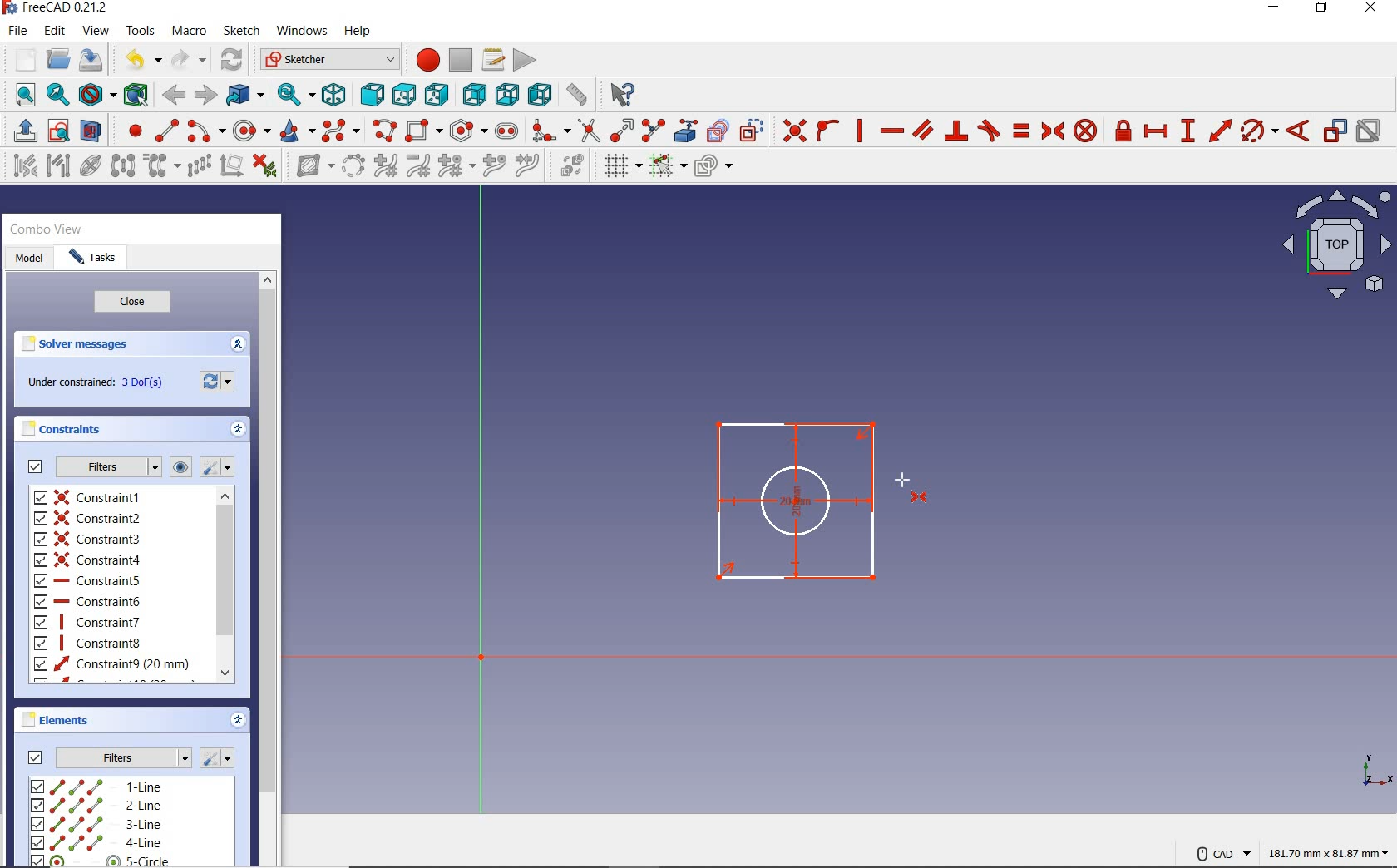 The width and height of the screenshot is (1397, 868). I want to click on constraint4, so click(89, 560).